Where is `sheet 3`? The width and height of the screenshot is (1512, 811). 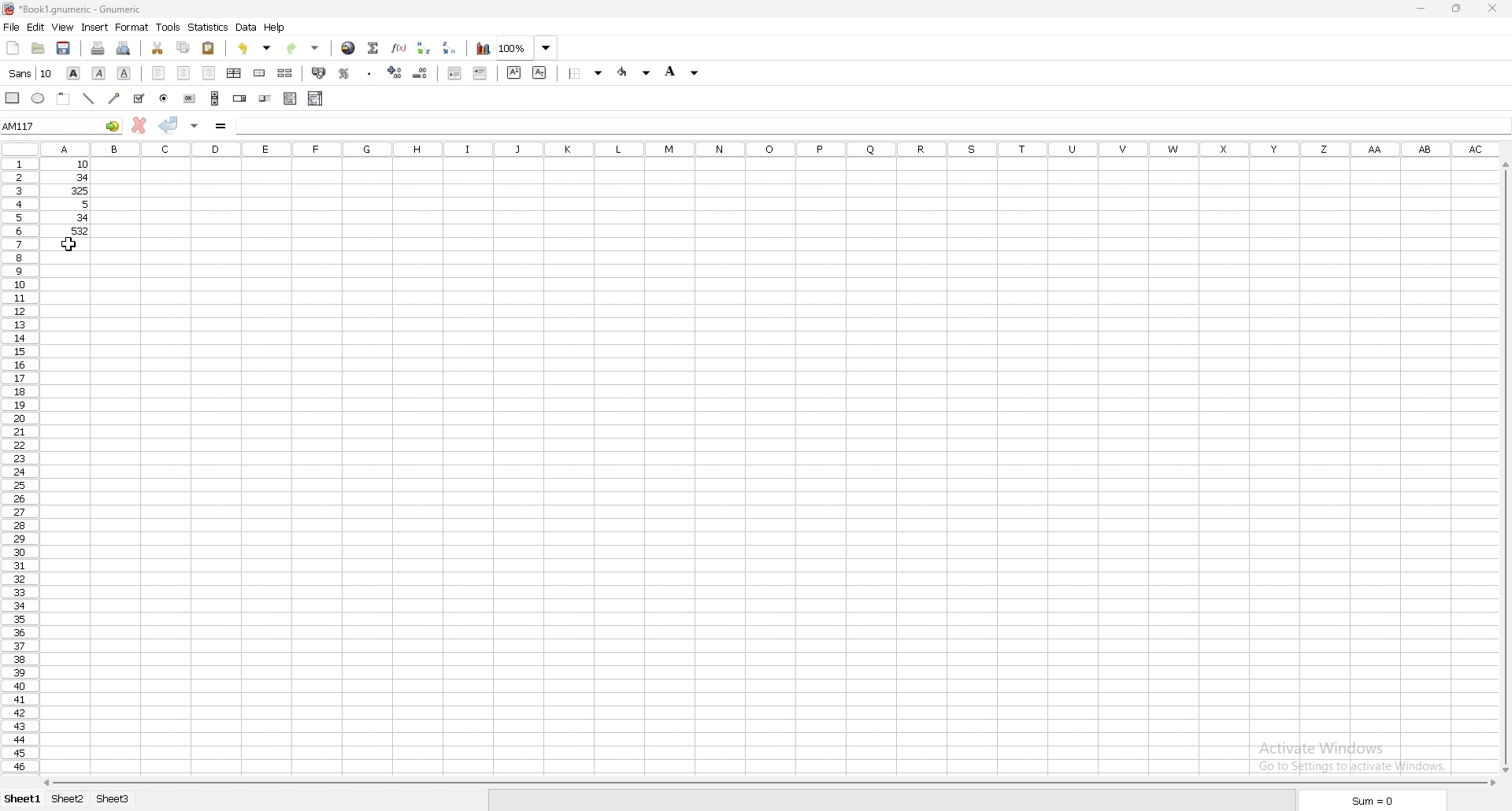 sheet 3 is located at coordinates (115, 798).